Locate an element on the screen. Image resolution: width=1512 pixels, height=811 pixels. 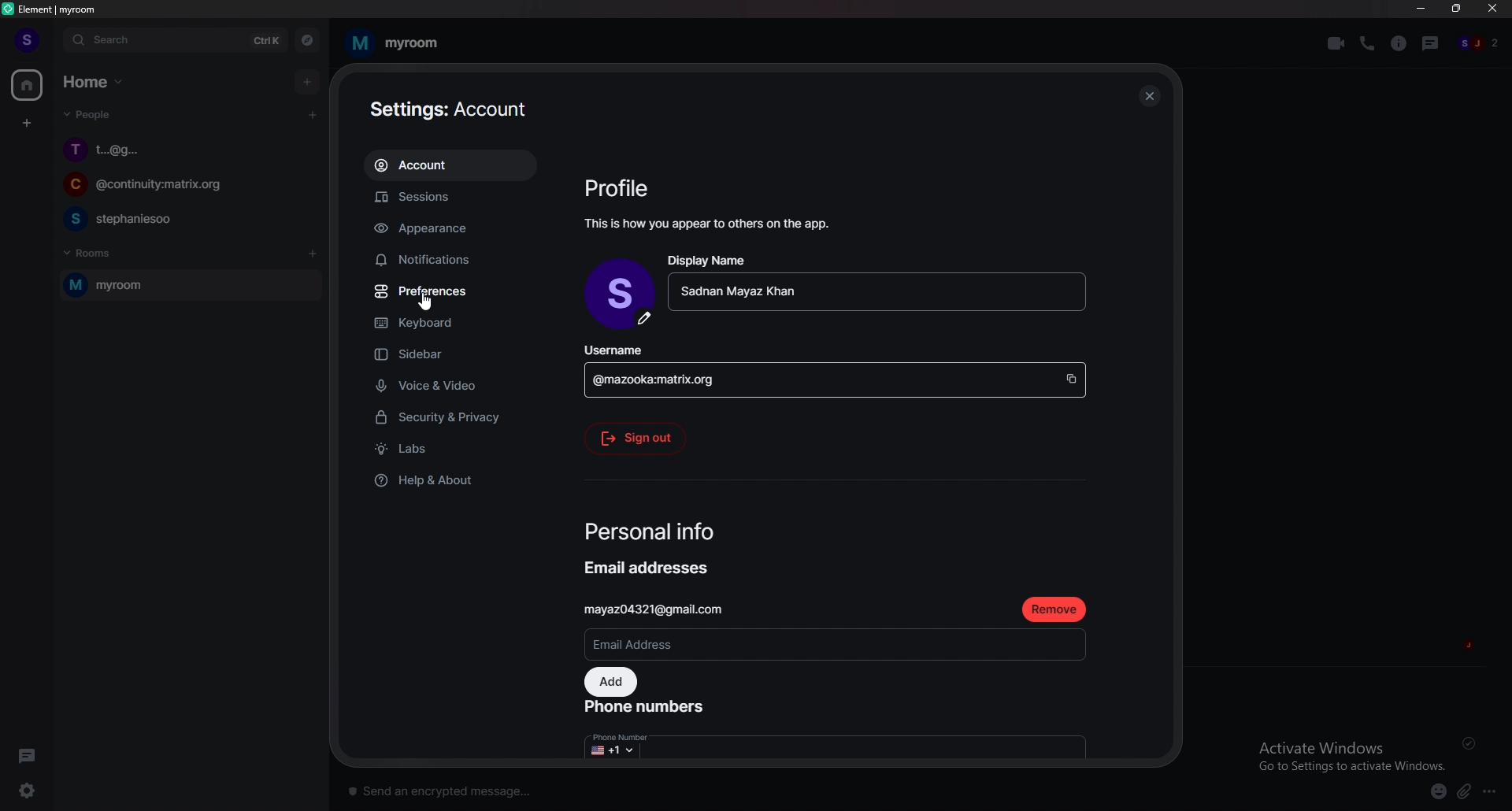
minimize is located at coordinates (1421, 9).